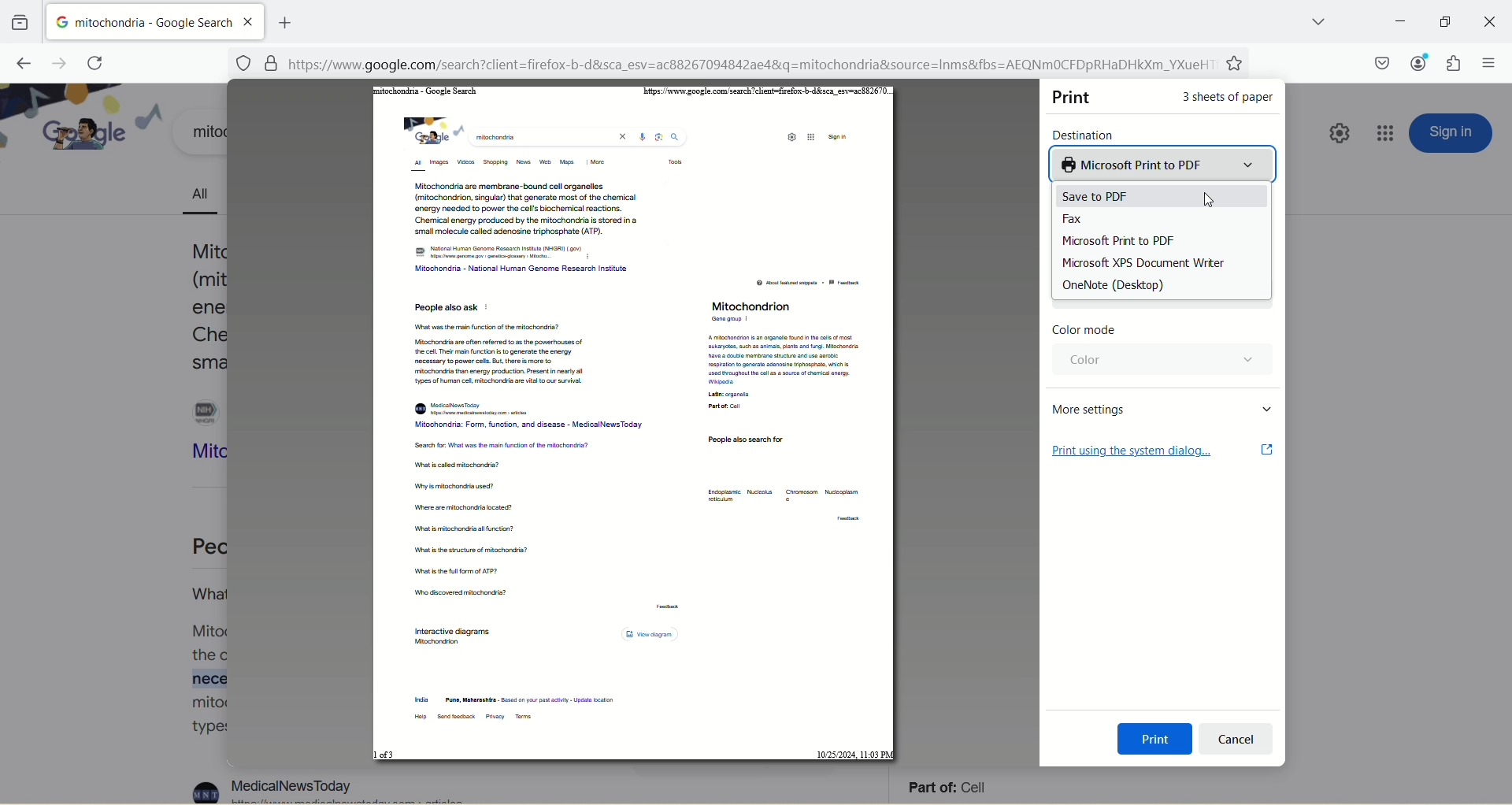 The width and height of the screenshot is (1512, 805). I want to click on open application menu, so click(1488, 65).